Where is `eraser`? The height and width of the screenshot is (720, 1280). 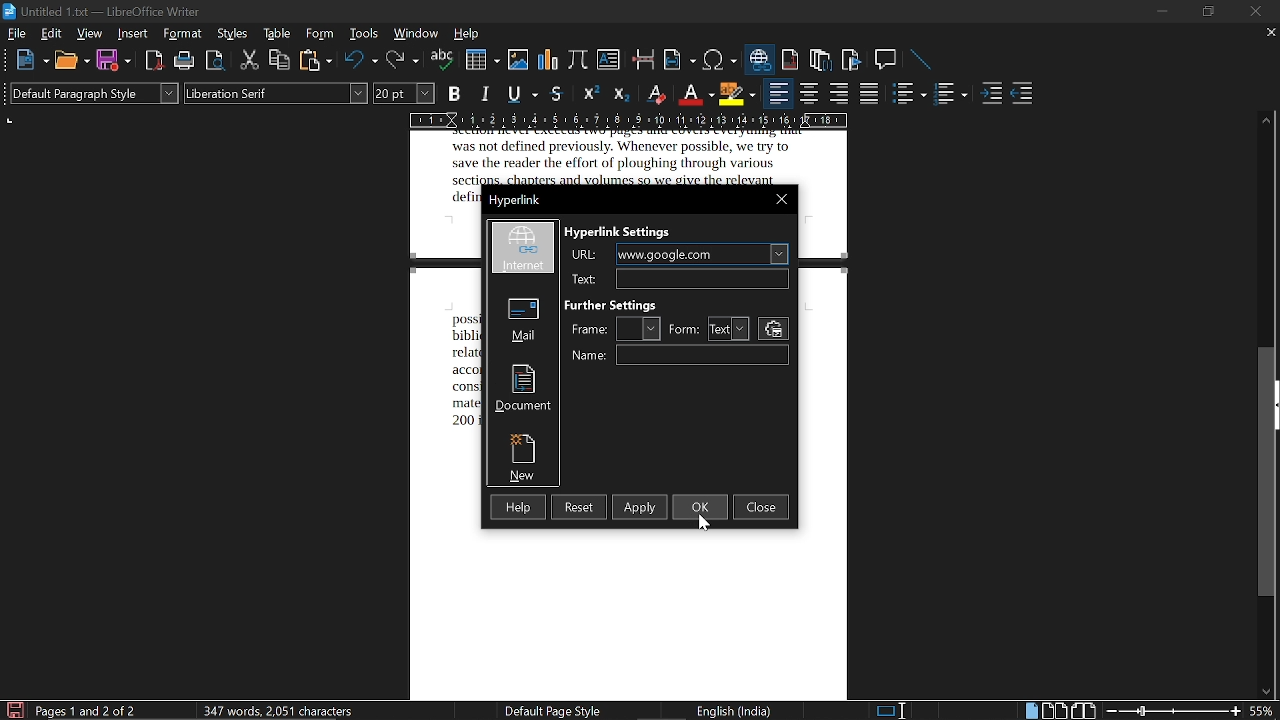
eraser is located at coordinates (657, 93).